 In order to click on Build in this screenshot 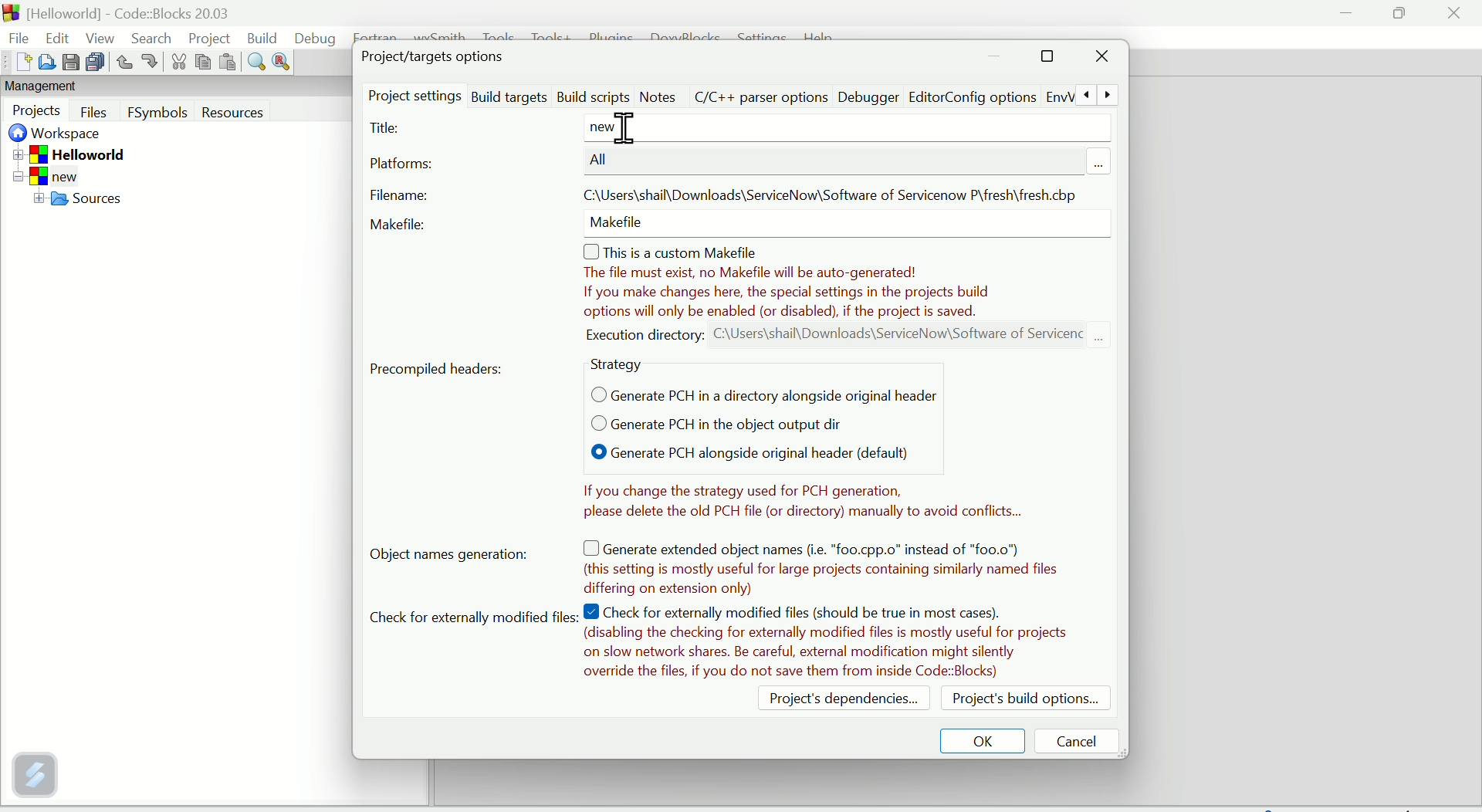, I will do `click(264, 36)`.